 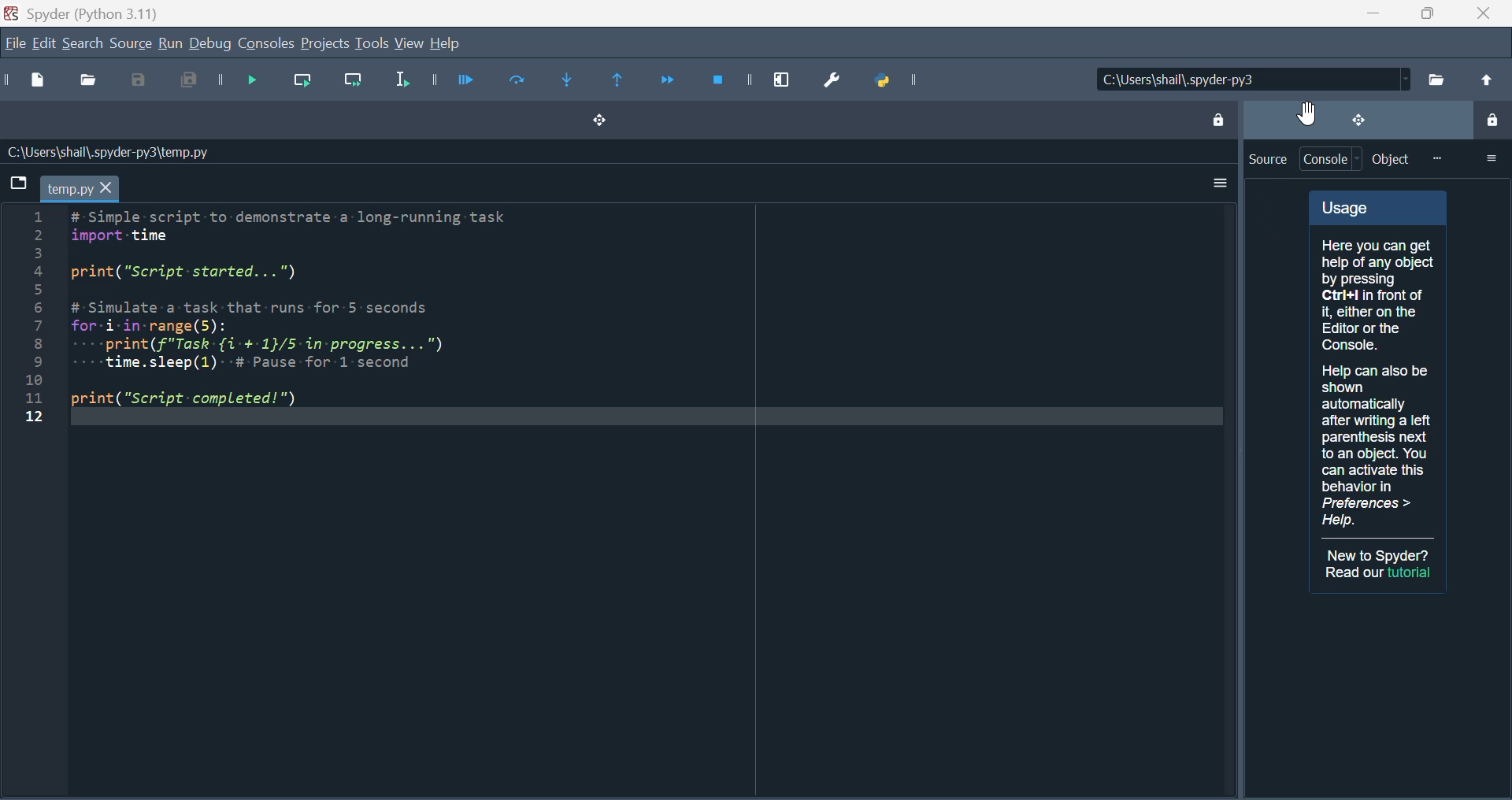 What do you see at coordinates (211, 45) in the screenshot?
I see `Debug` at bounding box center [211, 45].